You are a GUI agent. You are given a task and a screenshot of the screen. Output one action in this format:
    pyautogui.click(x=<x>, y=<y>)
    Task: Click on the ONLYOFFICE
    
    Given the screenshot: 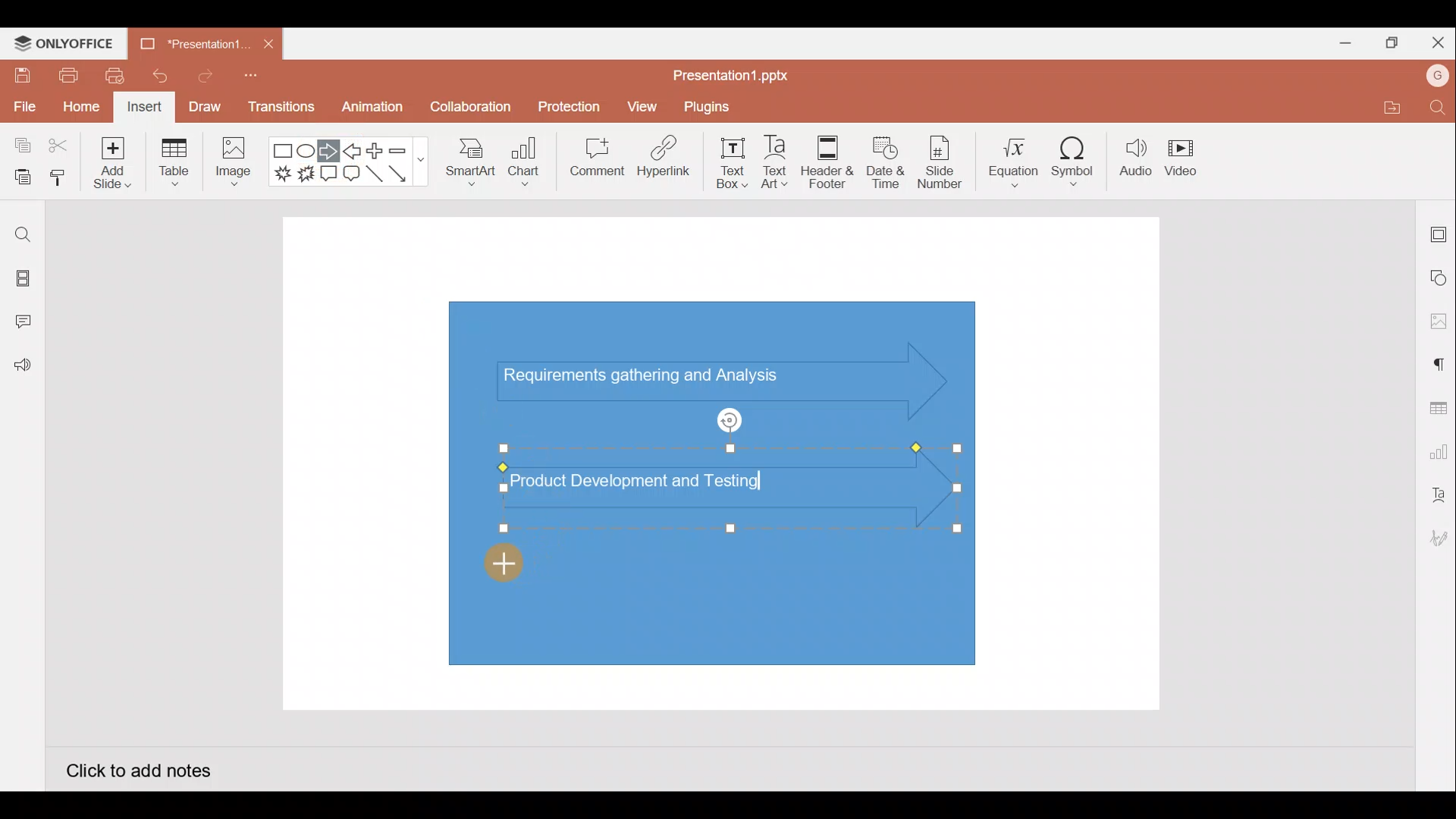 What is the action you would take?
    pyautogui.click(x=64, y=43)
    